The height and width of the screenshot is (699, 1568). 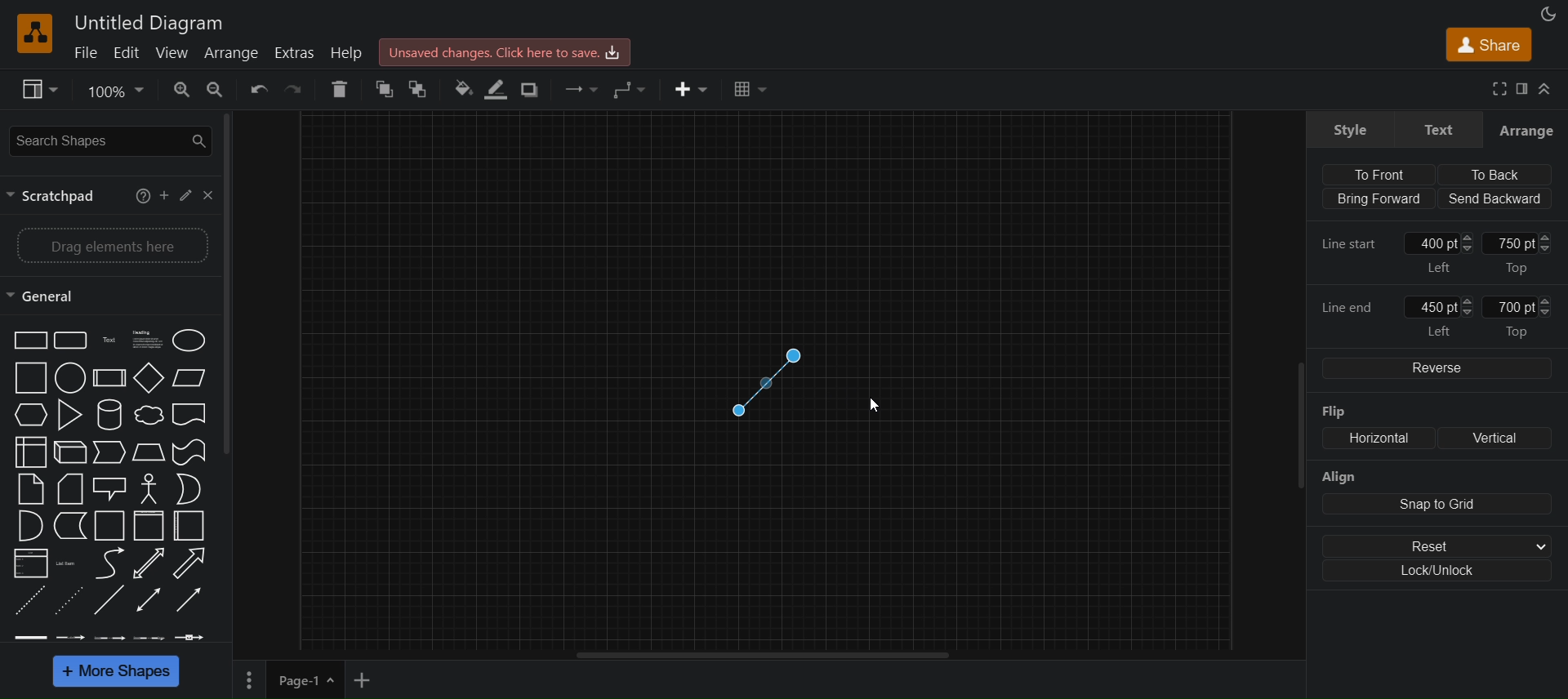 I want to click on Rounded rectangle, so click(x=69, y=340).